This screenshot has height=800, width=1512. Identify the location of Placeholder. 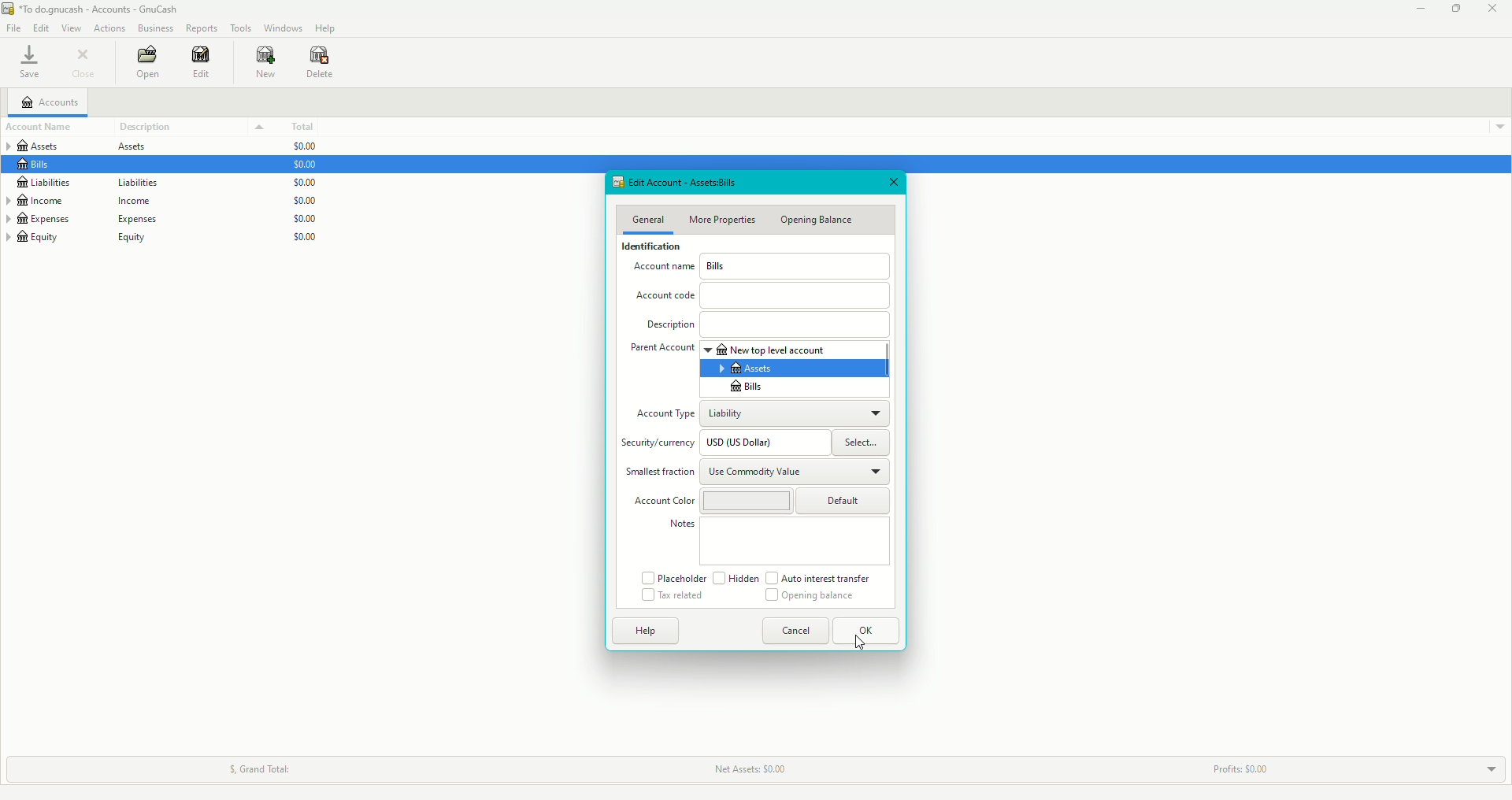
(672, 577).